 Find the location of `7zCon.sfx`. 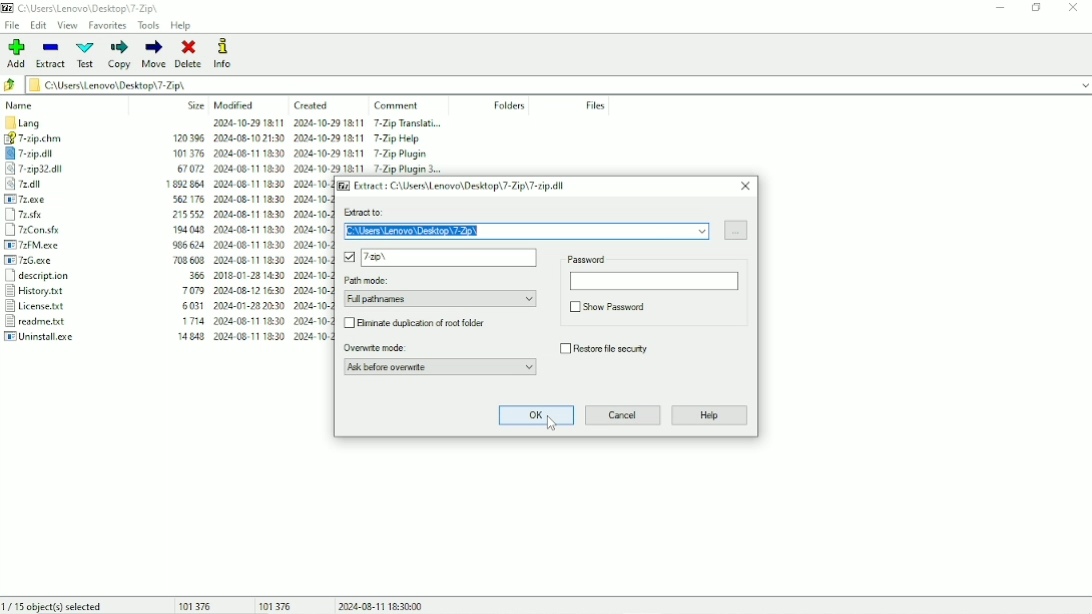

7zCon.sfx is located at coordinates (71, 231).